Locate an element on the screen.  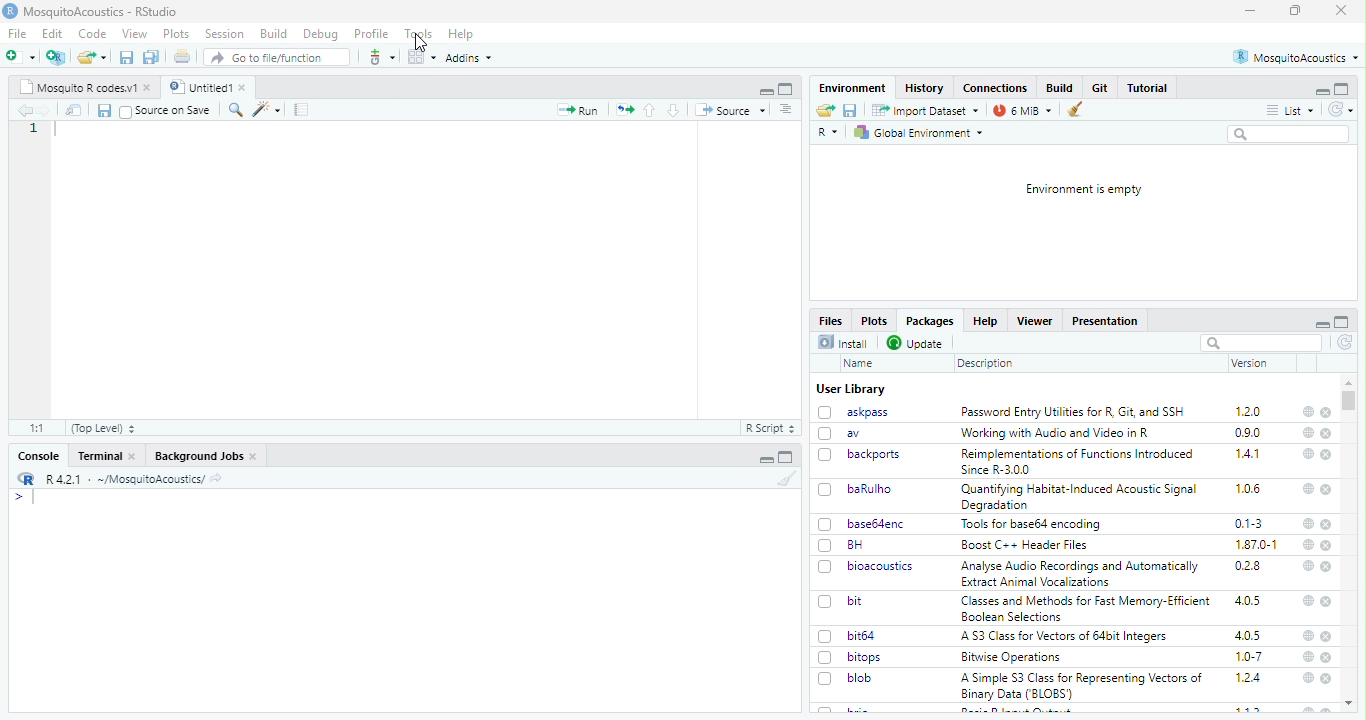
web is located at coordinates (1310, 489).